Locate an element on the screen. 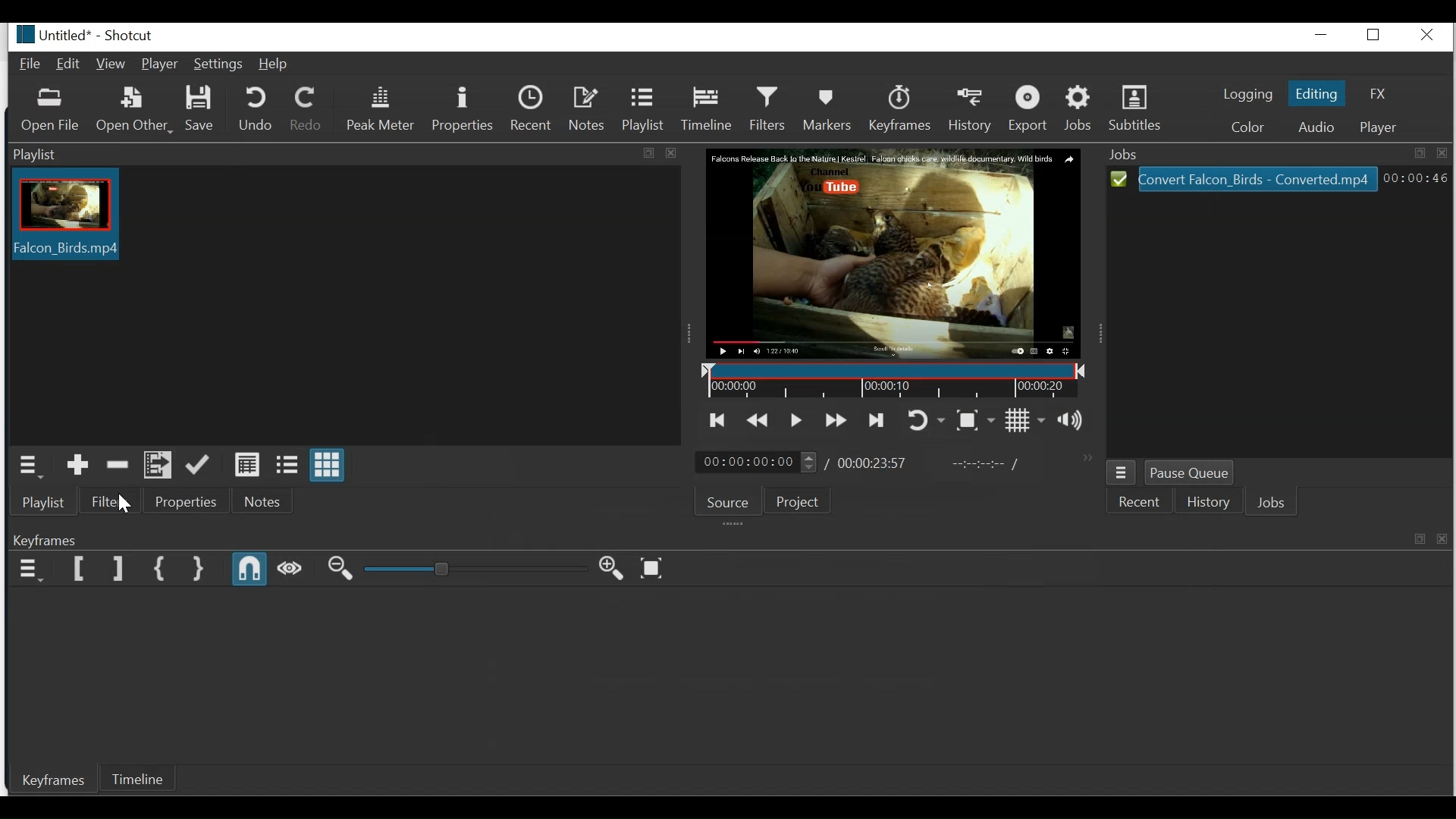  Player is located at coordinates (1382, 127).